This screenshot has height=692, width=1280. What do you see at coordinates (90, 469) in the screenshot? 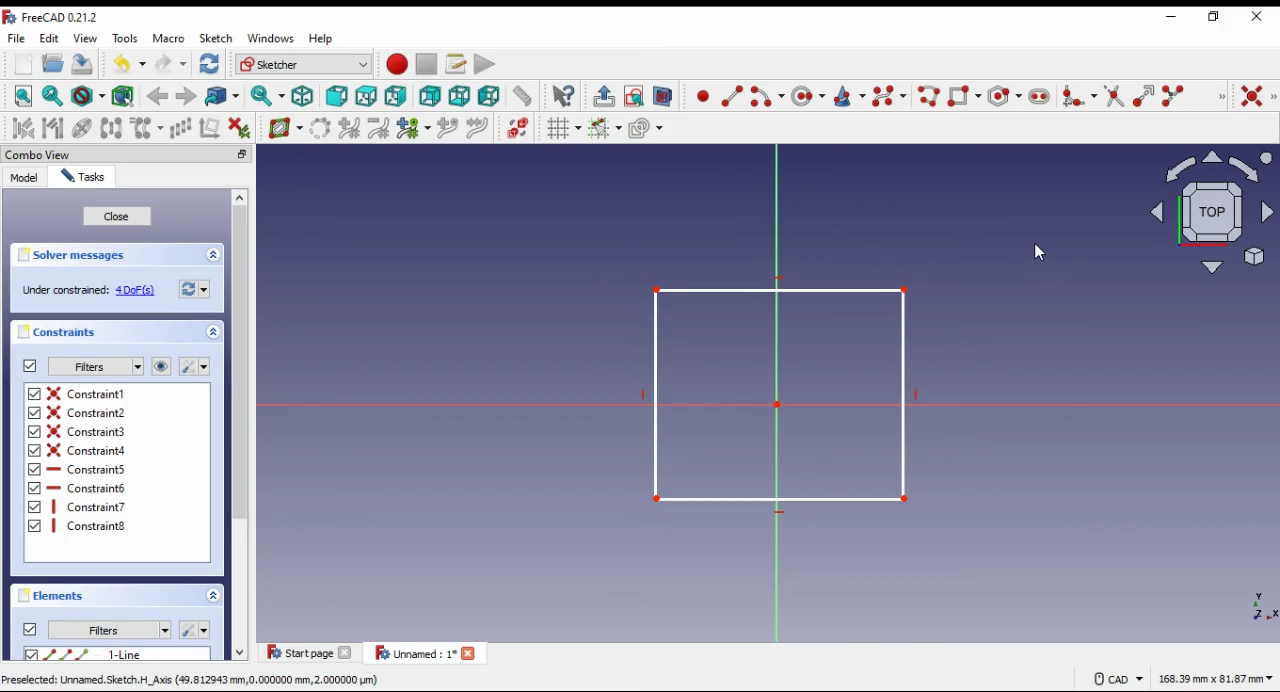
I see `on/off constraint 5` at bounding box center [90, 469].